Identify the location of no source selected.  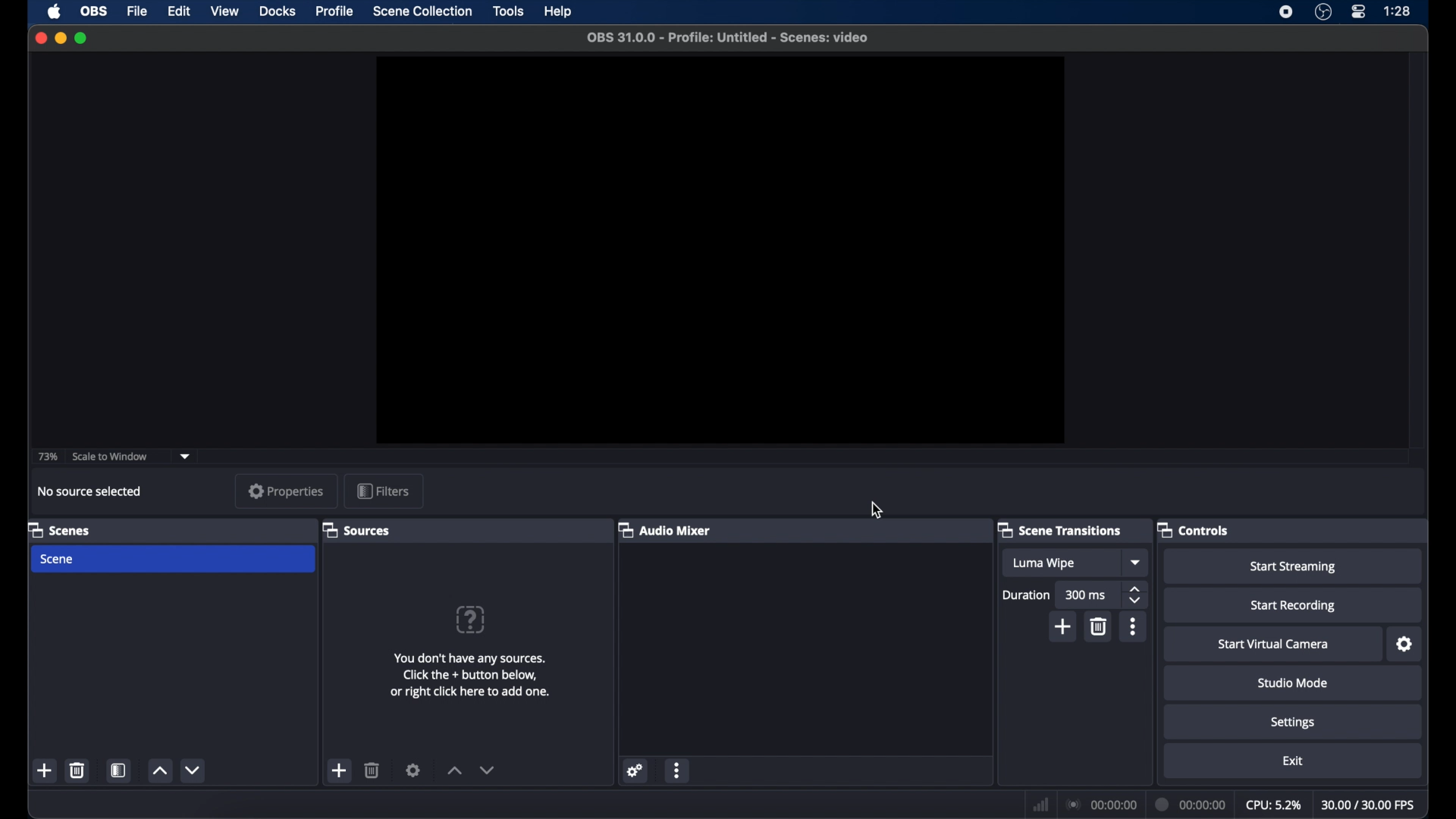
(91, 491).